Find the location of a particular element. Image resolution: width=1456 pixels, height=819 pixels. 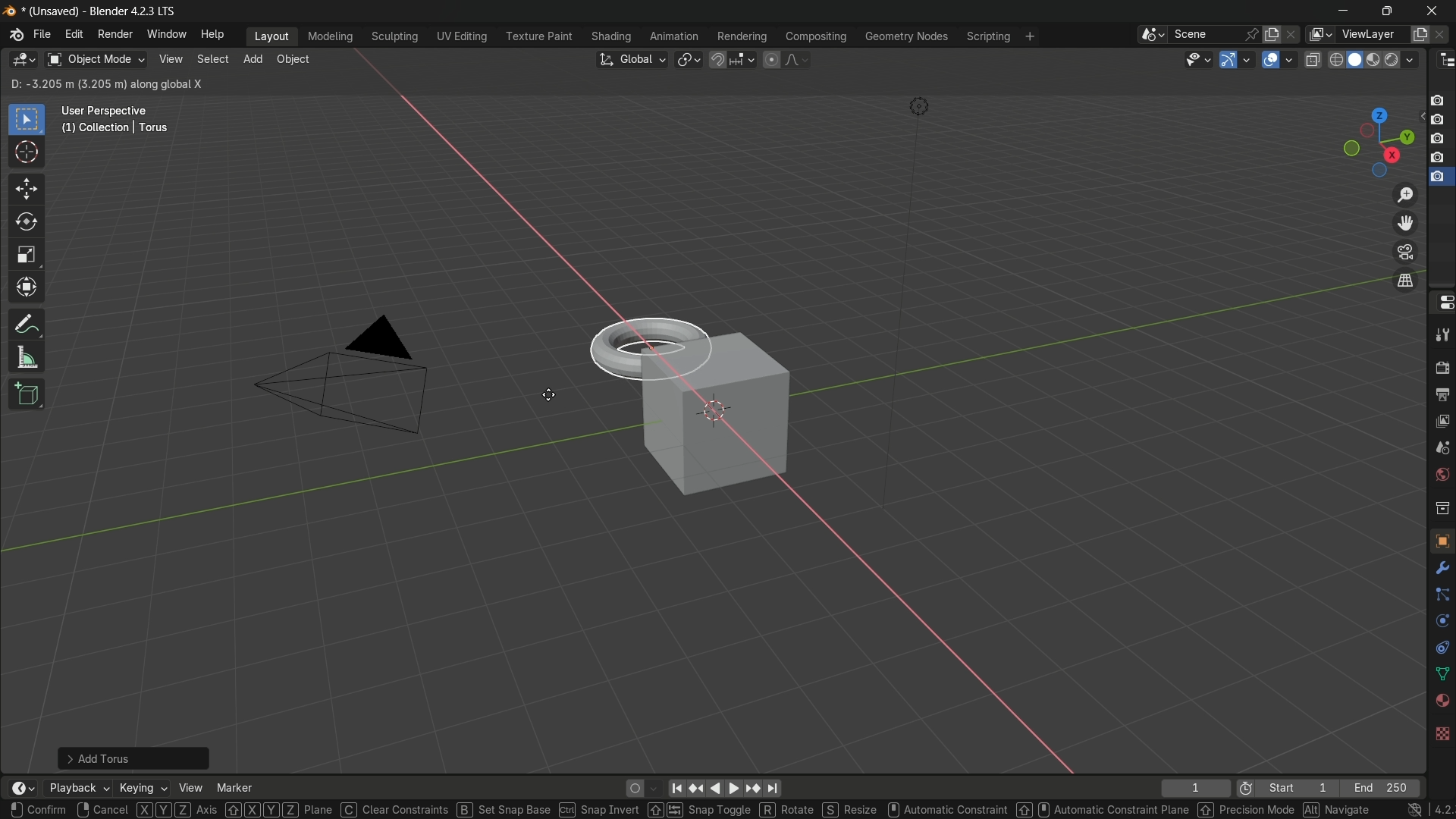

zoom in/out is located at coordinates (1405, 194).